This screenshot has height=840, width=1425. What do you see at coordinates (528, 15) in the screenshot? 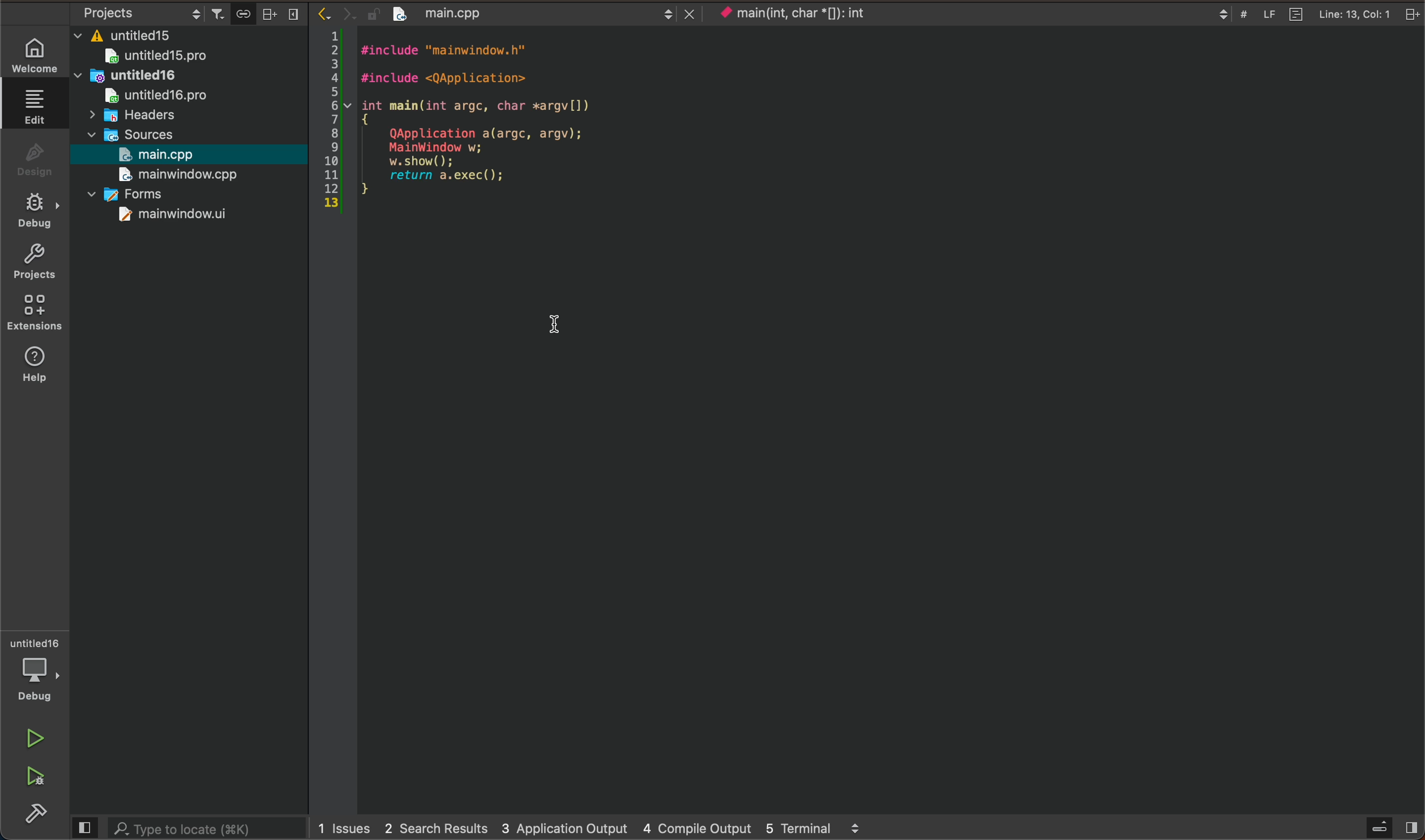
I see `file tab` at bounding box center [528, 15].